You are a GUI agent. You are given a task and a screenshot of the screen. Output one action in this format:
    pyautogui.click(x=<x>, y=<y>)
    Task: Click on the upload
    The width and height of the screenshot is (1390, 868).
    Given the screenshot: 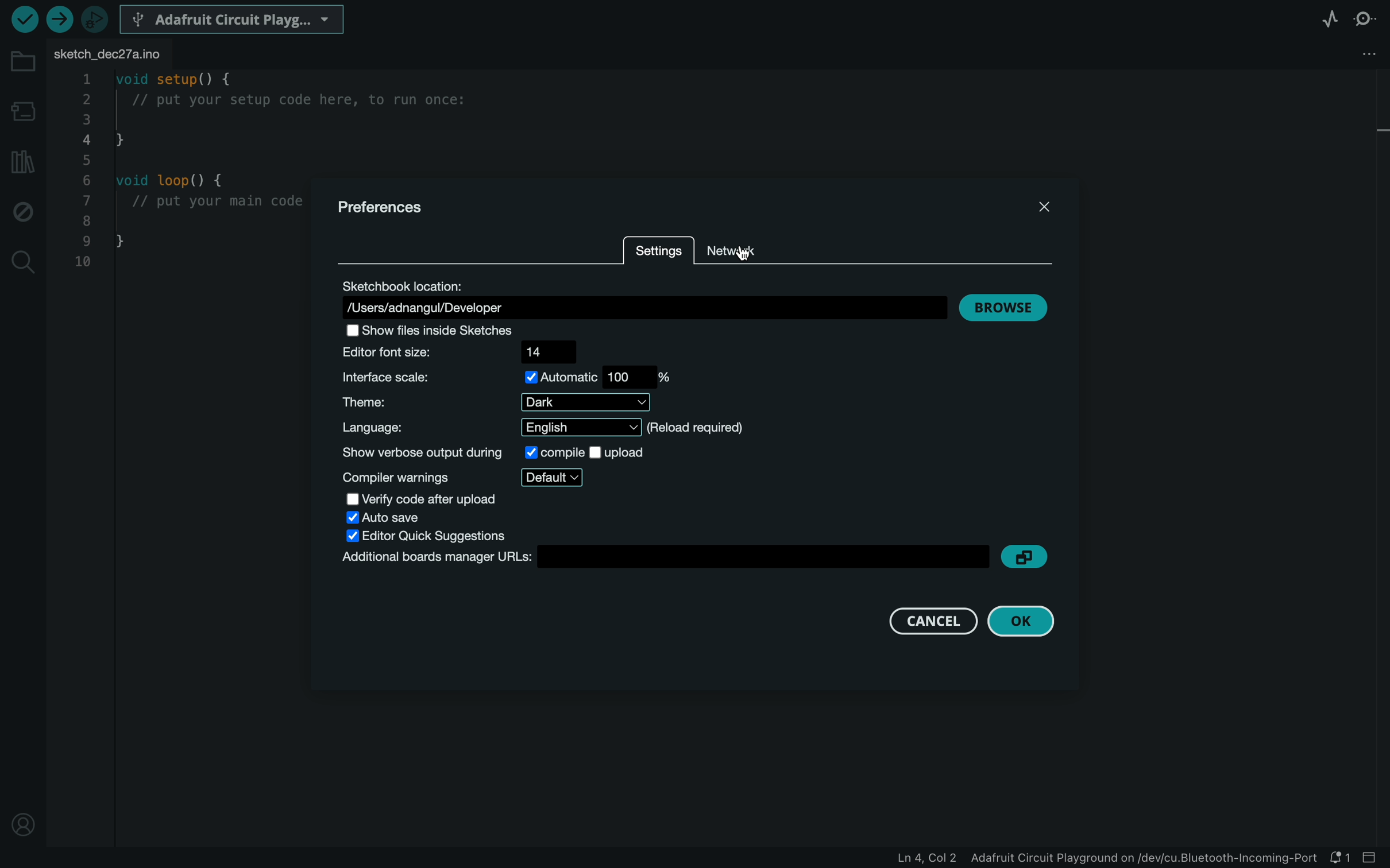 What is the action you would take?
    pyautogui.click(x=61, y=19)
    